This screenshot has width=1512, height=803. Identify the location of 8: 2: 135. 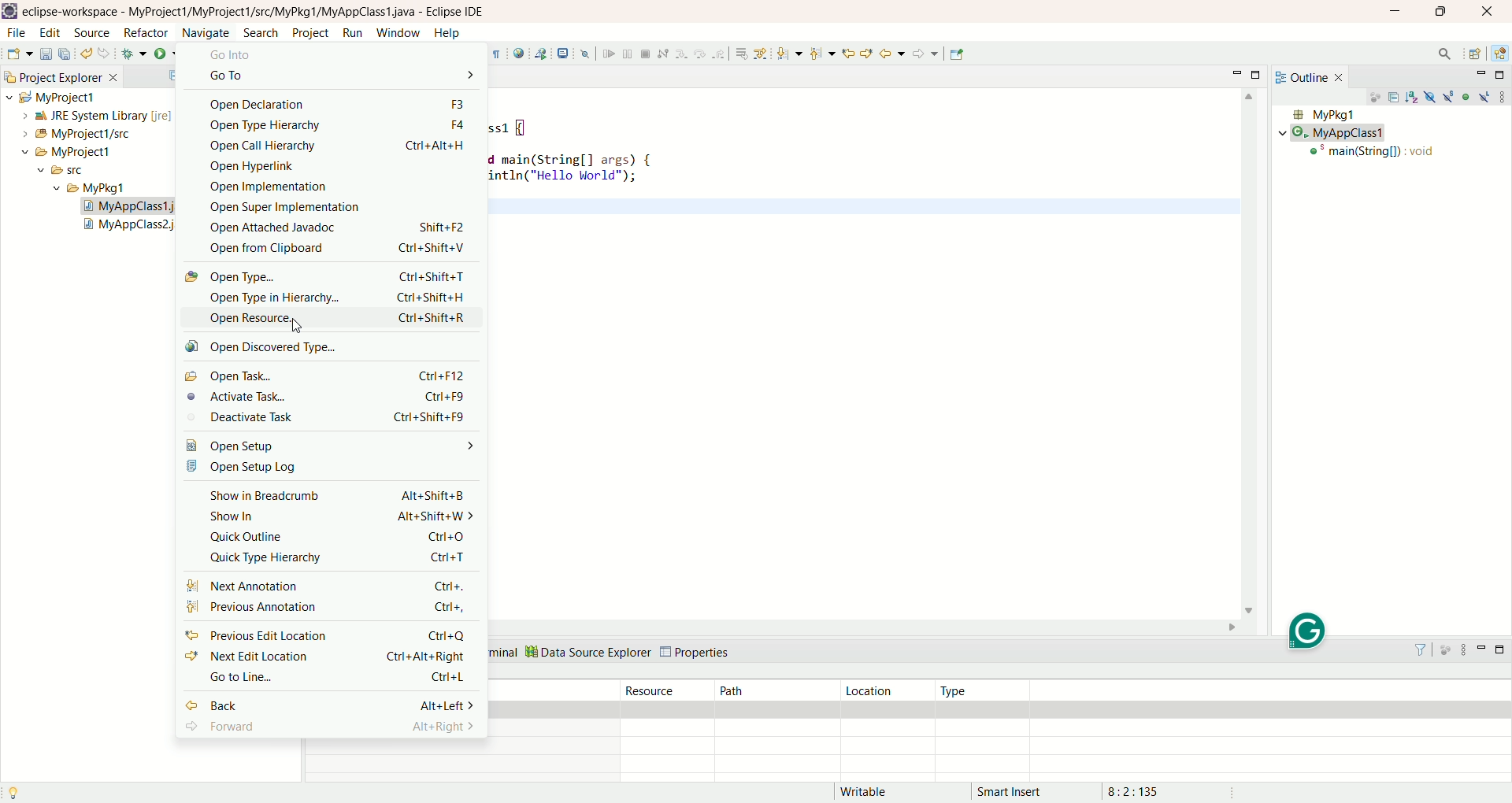
(1152, 790).